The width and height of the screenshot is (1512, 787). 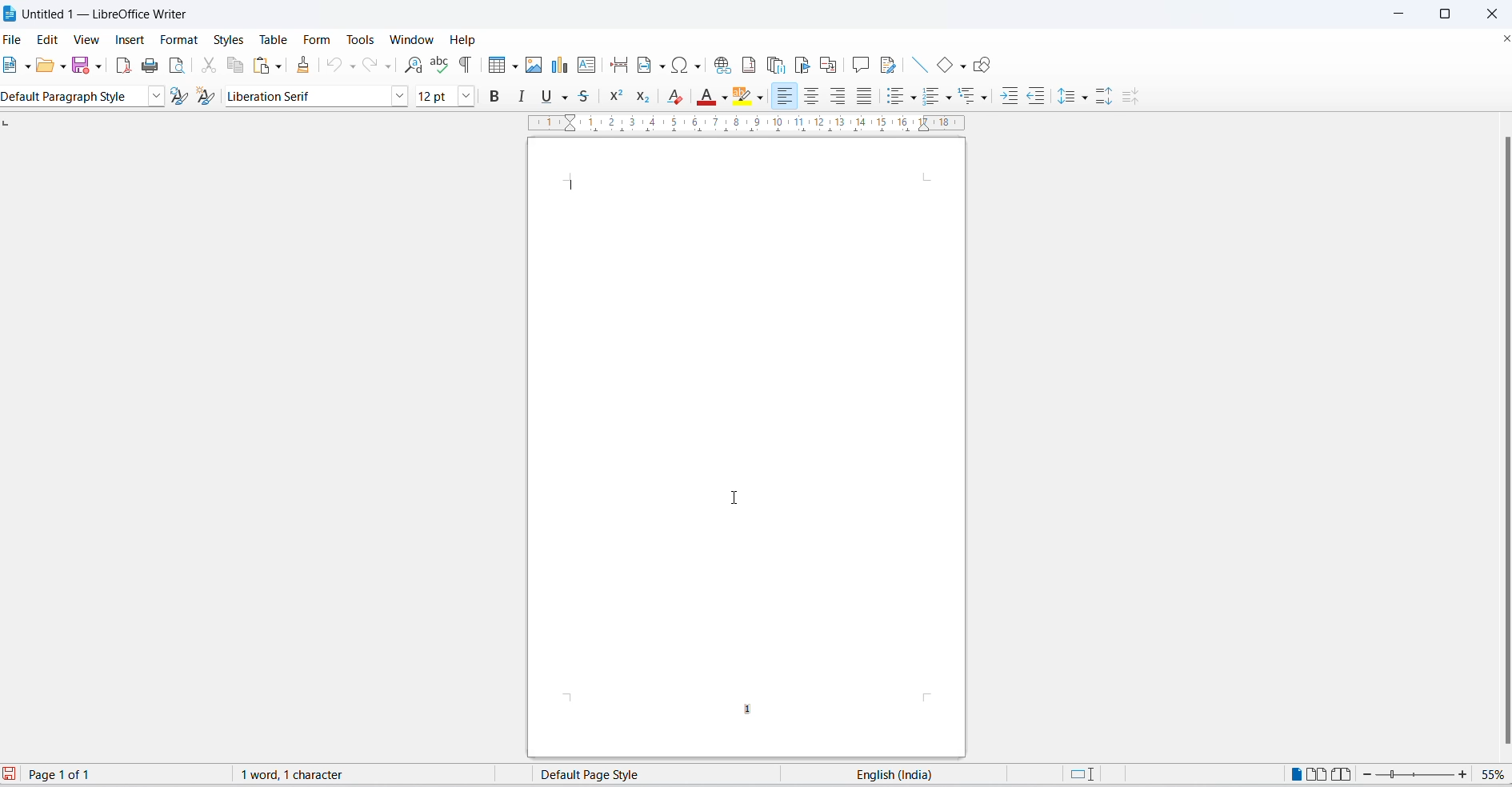 What do you see at coordinates (63, 67) in the screenshot?
I see `open options` at bounding box center [63, 67].